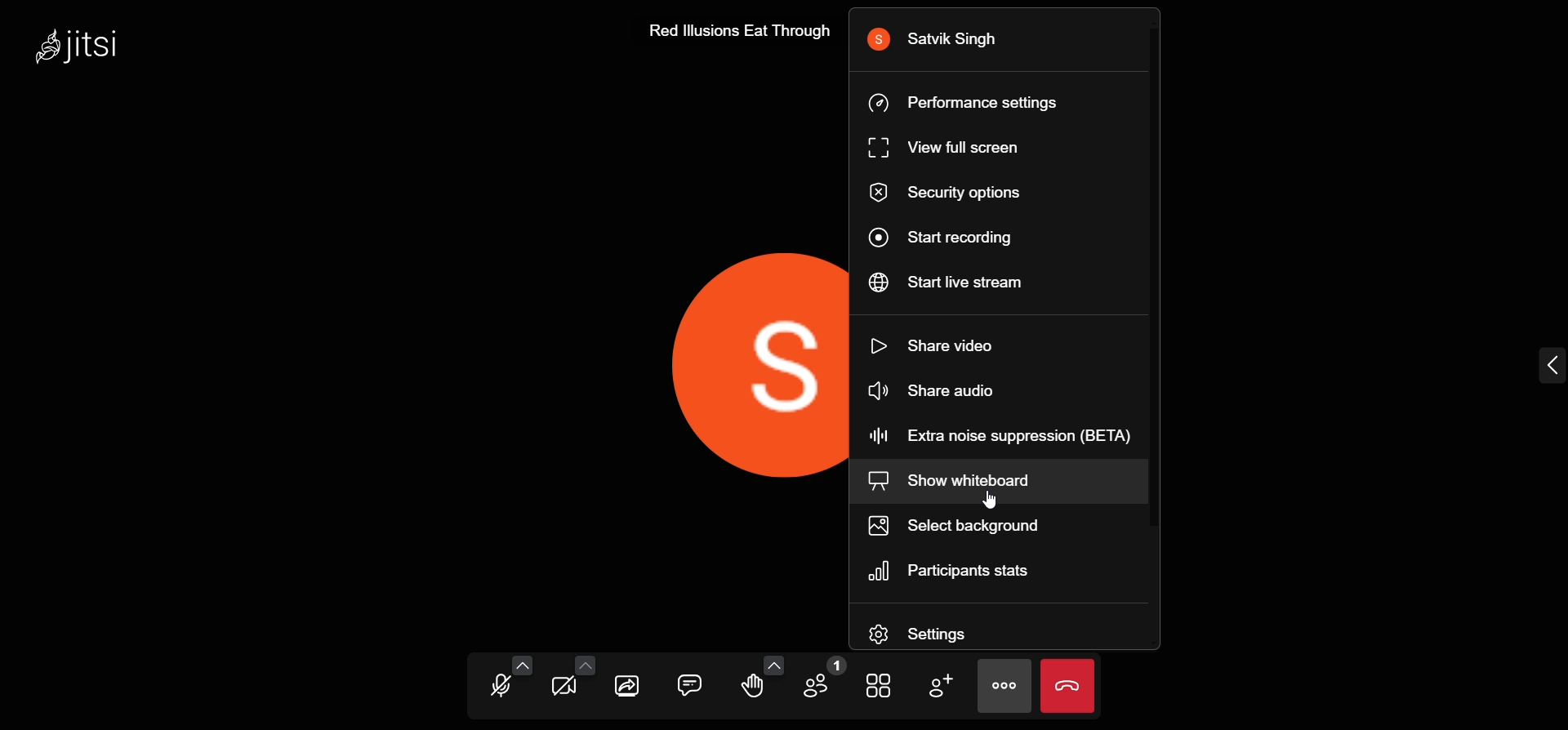 This screenshot has height=730, width=1568. Describe the element at coordinates (984, 502) in the screenshot. I see `cursor` at that location.